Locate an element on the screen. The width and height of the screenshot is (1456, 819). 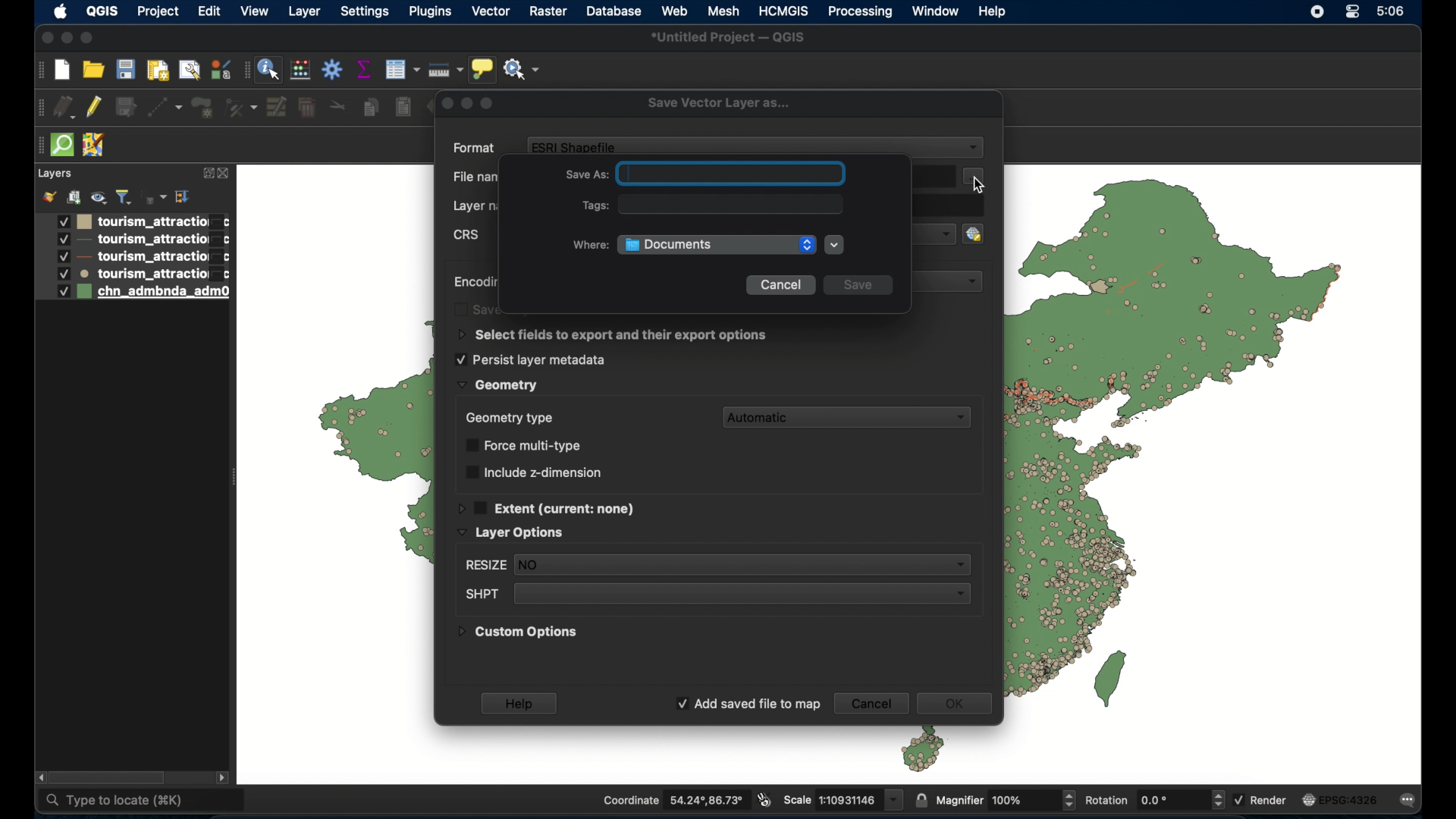
apple icon is located at coordinates (61, 12).